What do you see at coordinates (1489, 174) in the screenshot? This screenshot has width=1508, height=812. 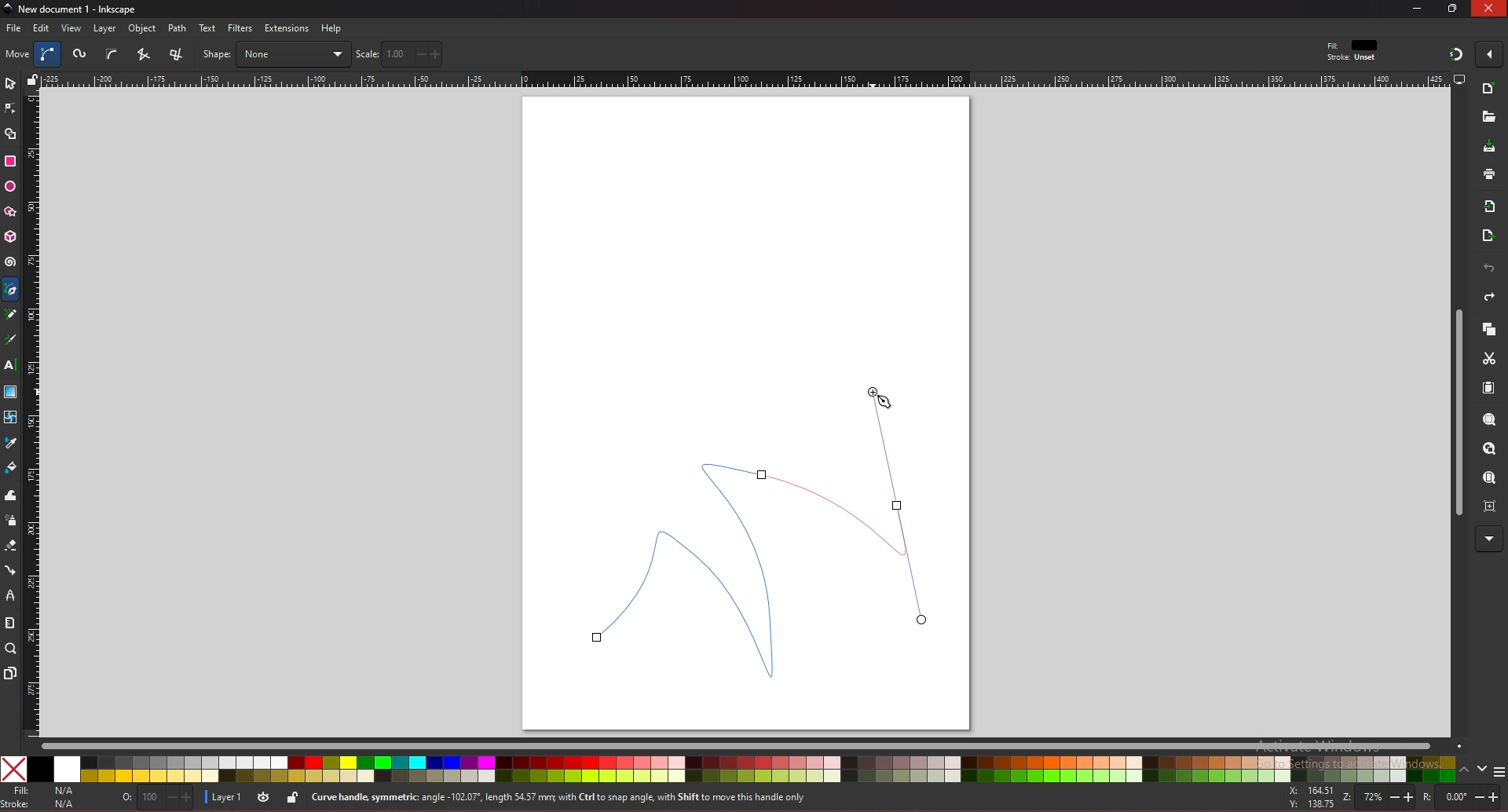 I see `print` at bounding box center [1489, 174].